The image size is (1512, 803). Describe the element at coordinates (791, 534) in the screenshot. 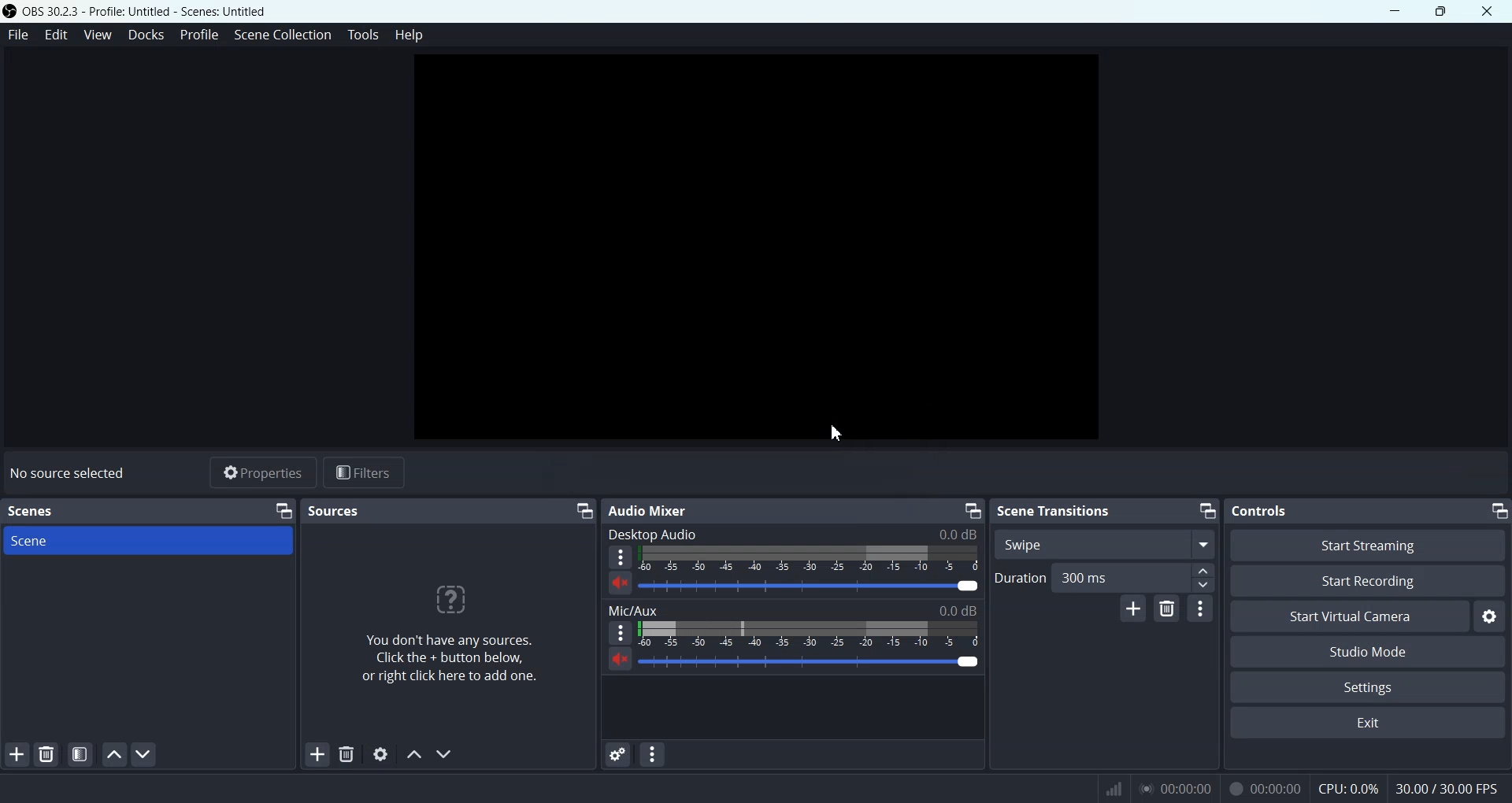

I see `Desktop Audio 0.0 dB` at that location.